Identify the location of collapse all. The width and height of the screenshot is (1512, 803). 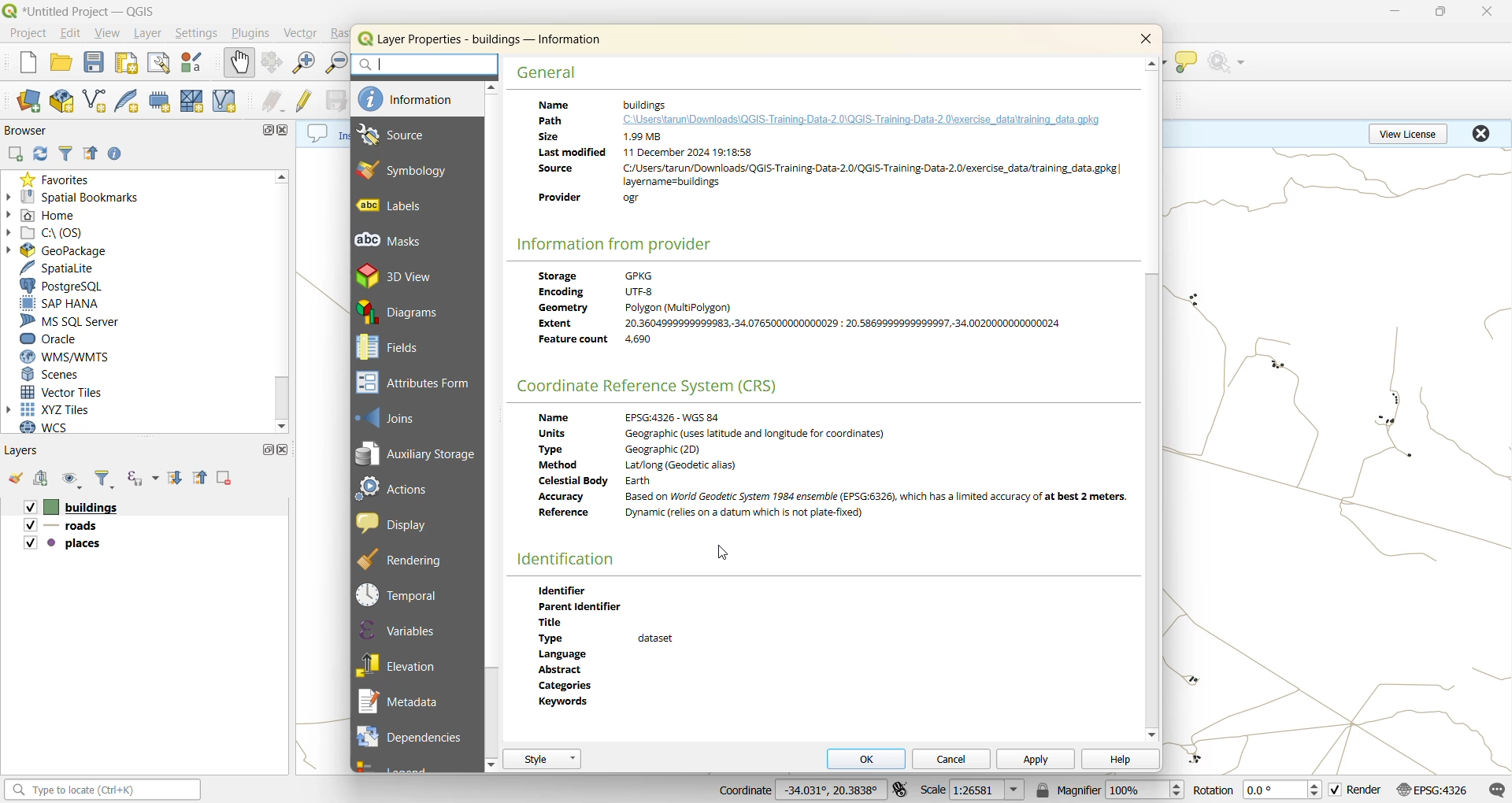
(94, 155).